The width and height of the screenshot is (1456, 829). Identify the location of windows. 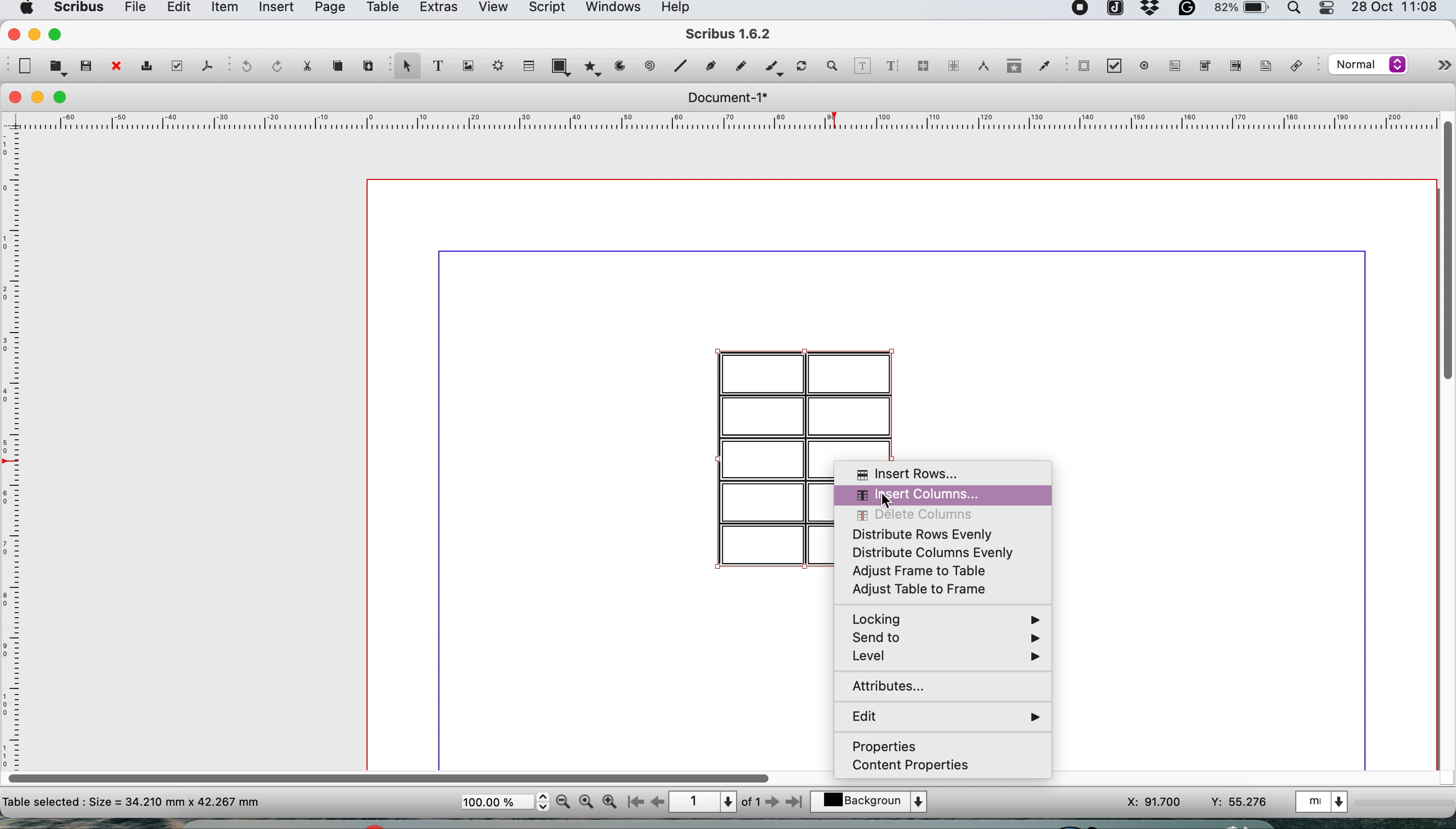
(612, 10).